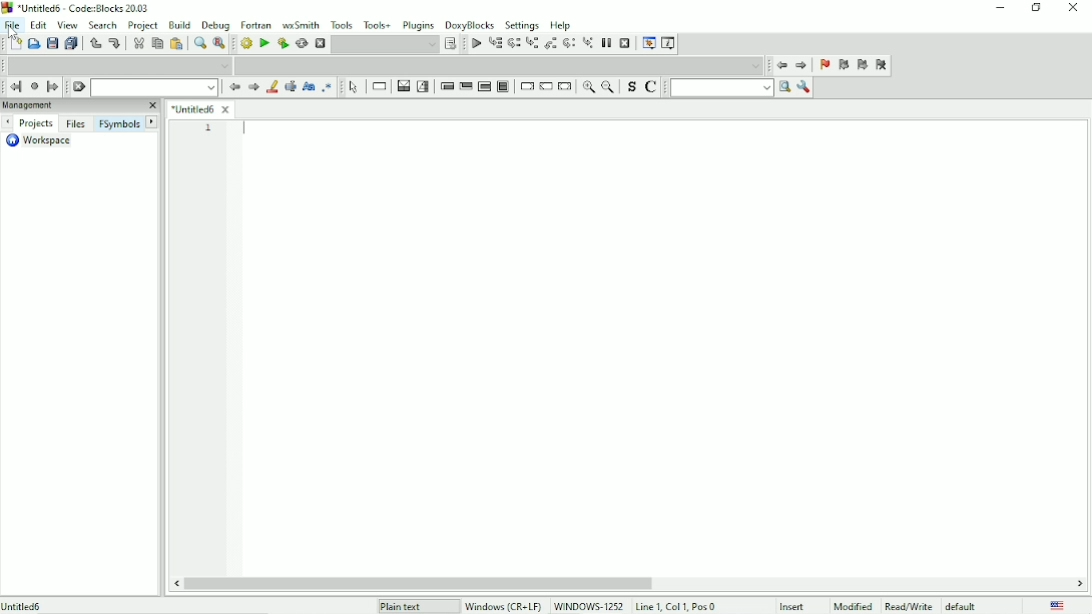  Describe the element at coordinates (562, 24) in the screenshot. I see `Help` at that location.